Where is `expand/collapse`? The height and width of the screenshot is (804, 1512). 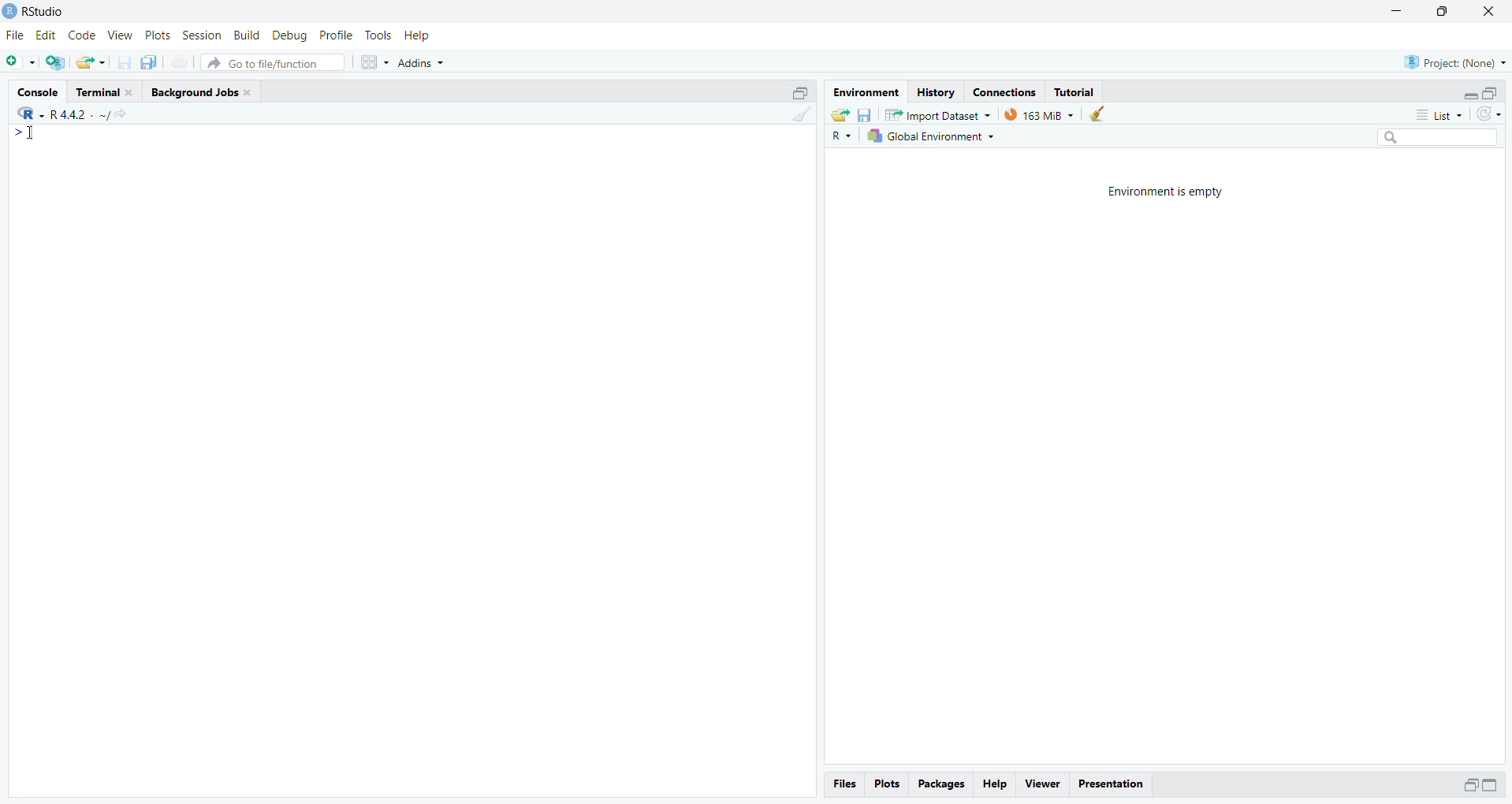
expand/collapse is located at coordinates (1468, 95).